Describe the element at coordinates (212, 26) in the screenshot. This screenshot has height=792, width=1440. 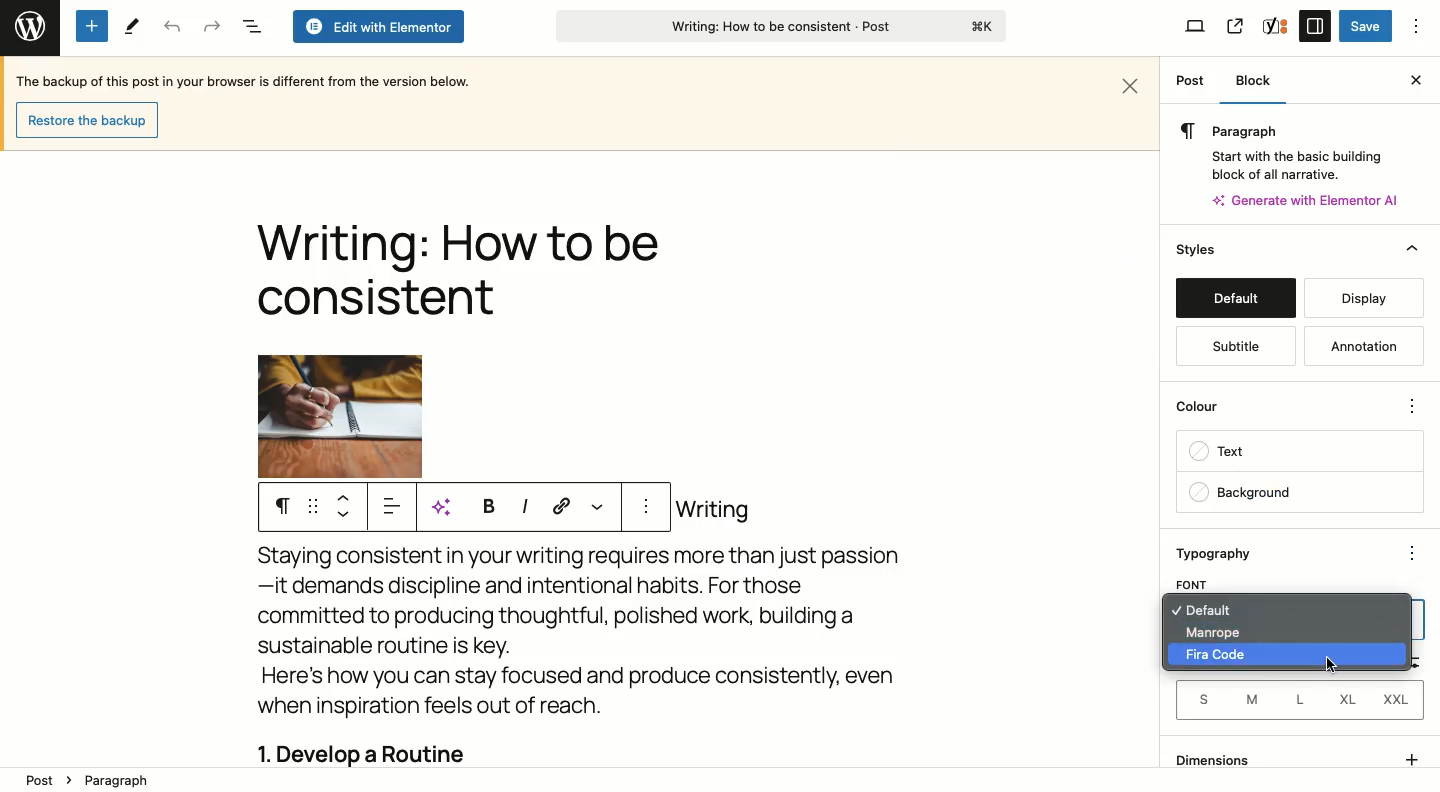
I see `Redo` at that location.